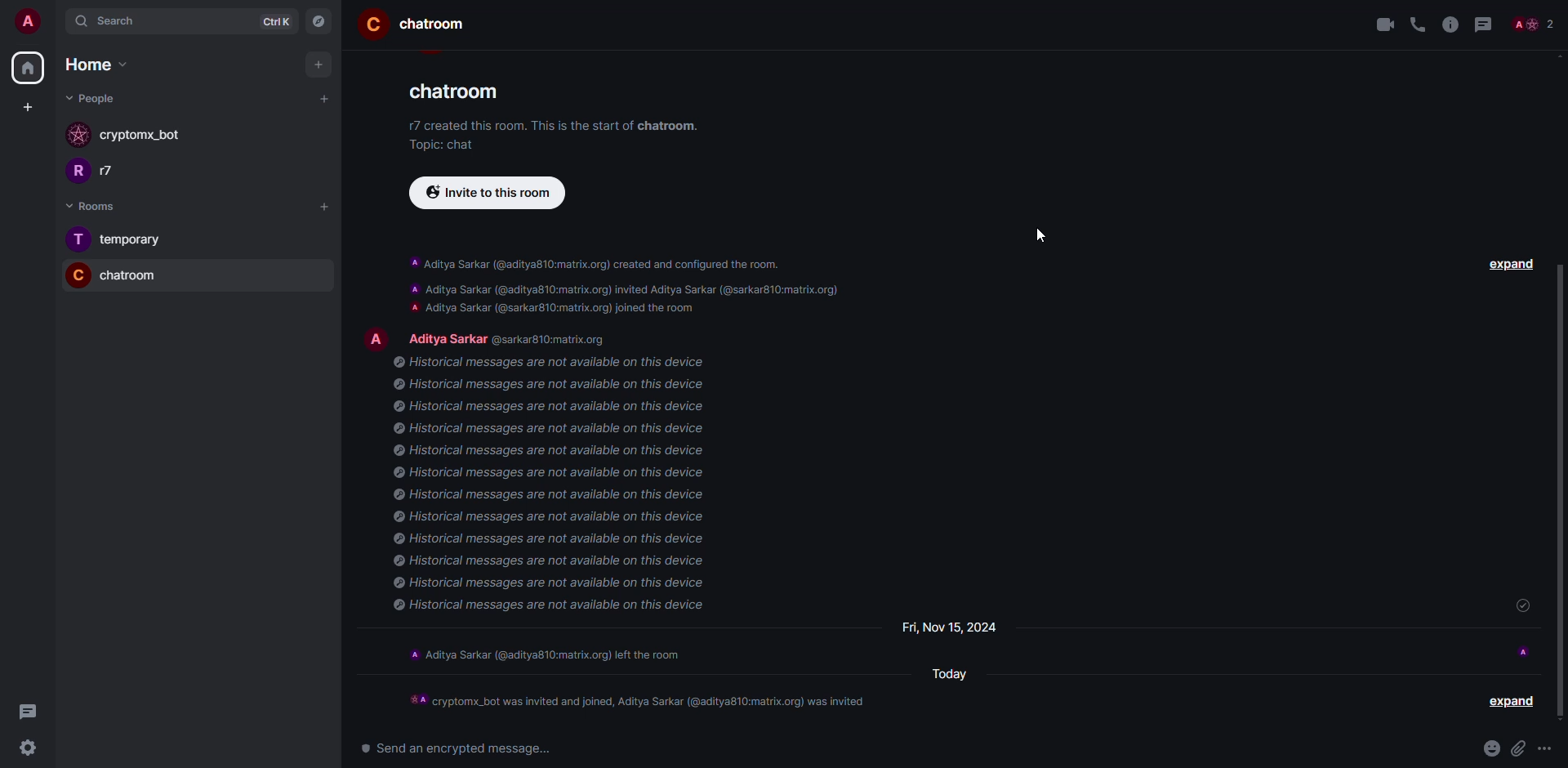 The width and height of the screenshot is (1568, 768). Describe the element at coordinates (642, 702) in the screenshot. I see `people invited` at that location.